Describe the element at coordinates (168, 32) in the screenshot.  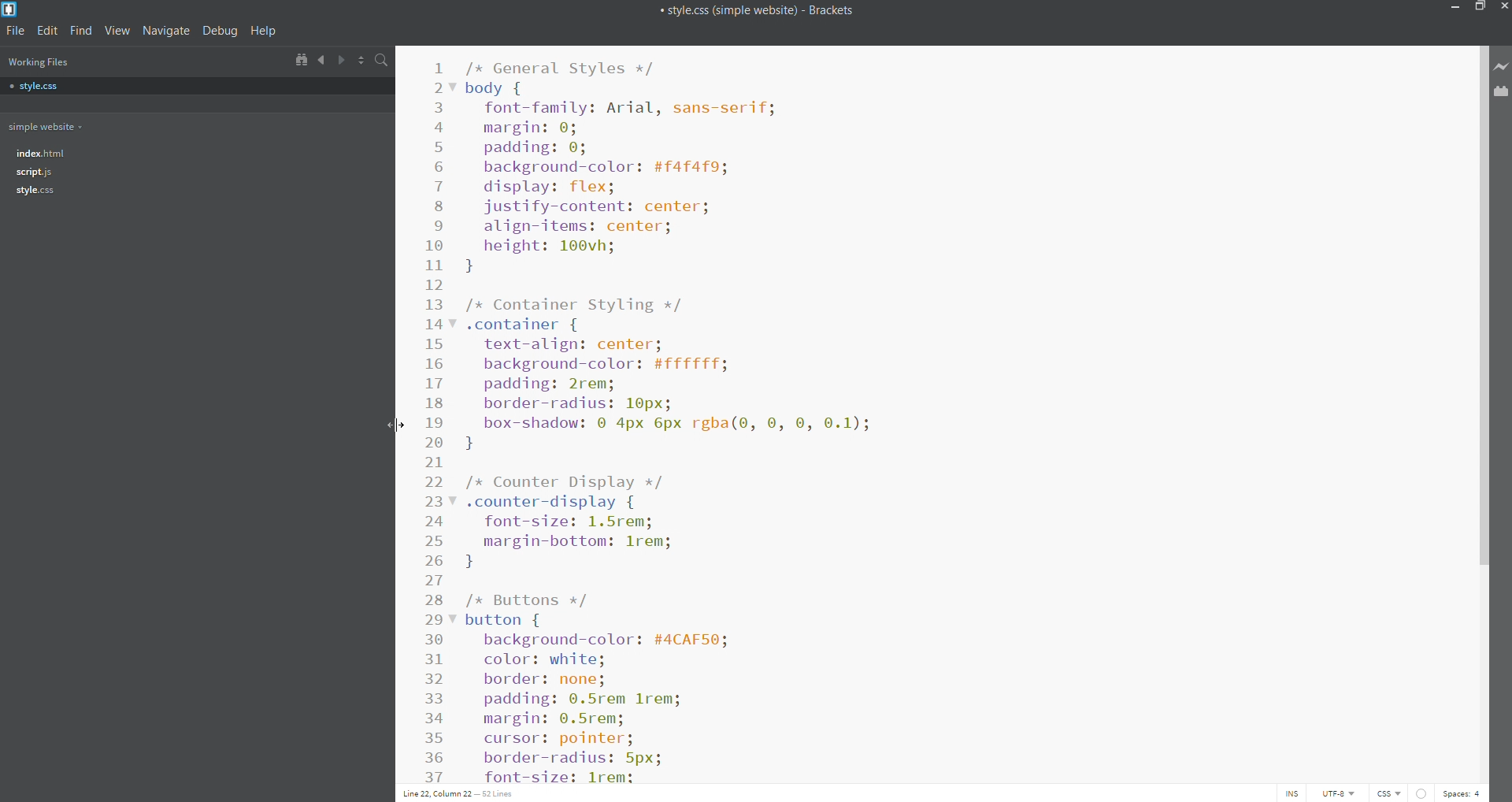
I see `Navigate` at that location.